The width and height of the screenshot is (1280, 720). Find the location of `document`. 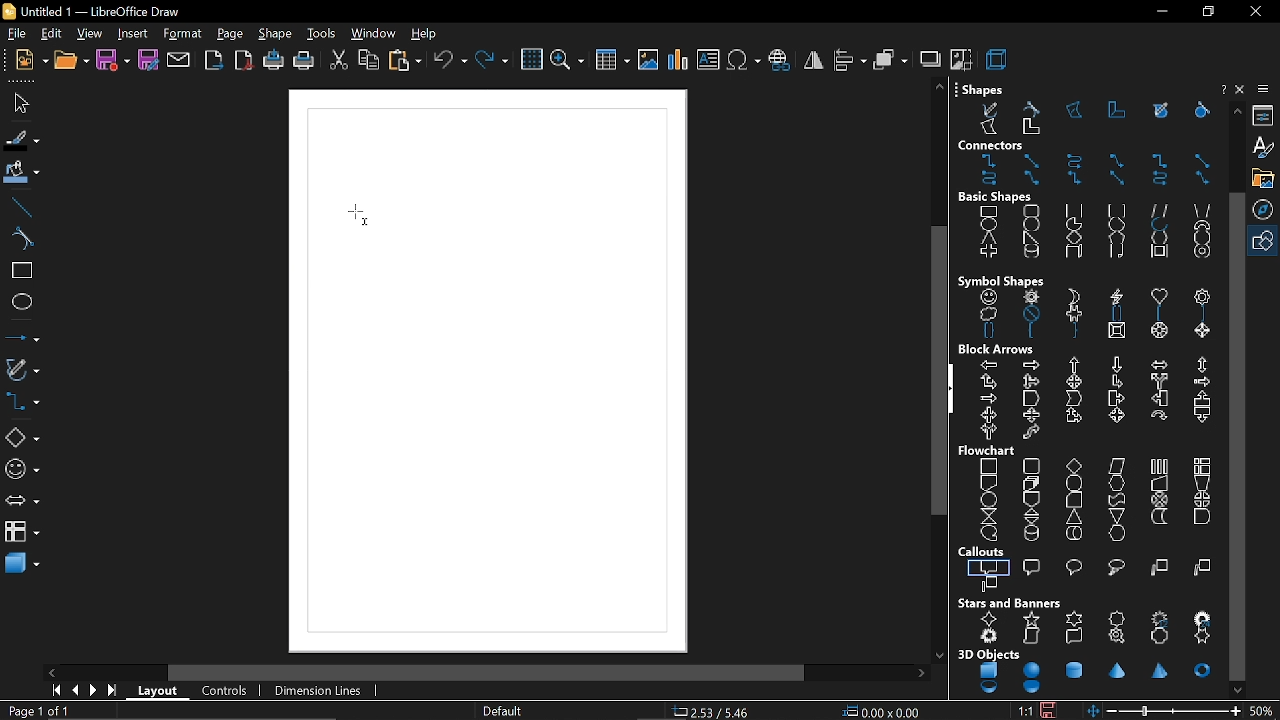

document is located at coordinates (987, 483).